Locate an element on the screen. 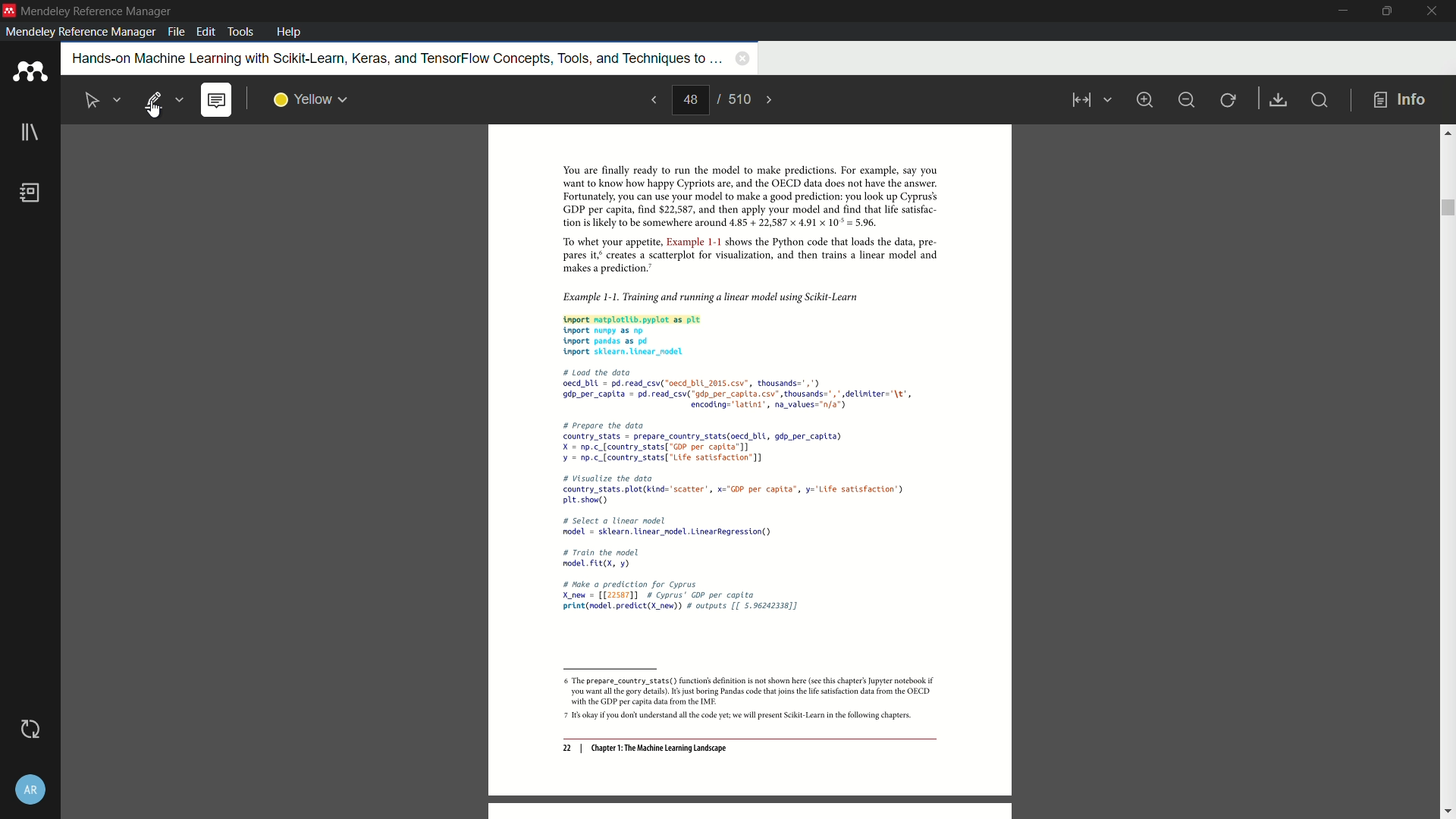 The image size is (1456, 819). zoom in is located at coordinates (1144, 99).